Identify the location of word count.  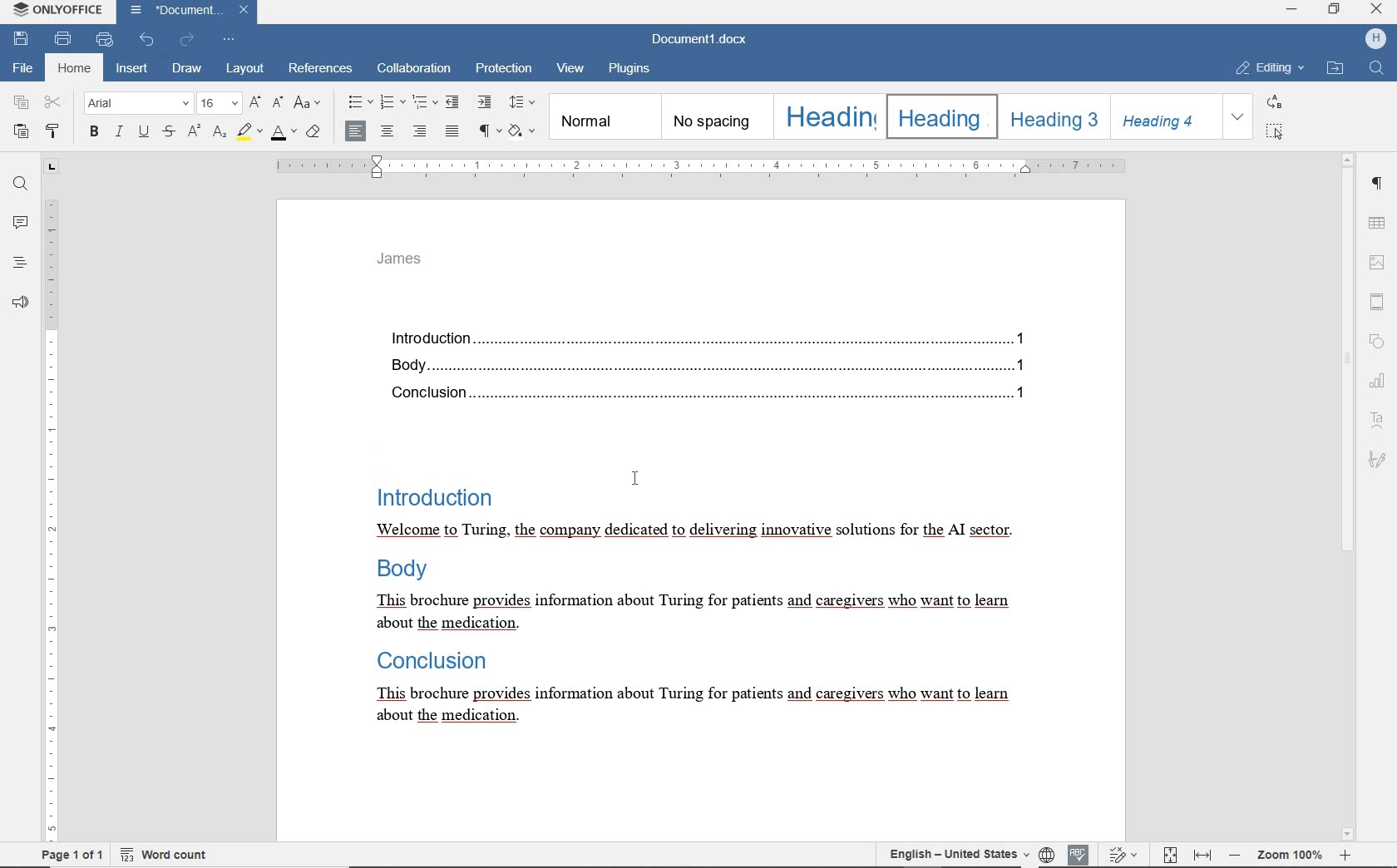
(173, 854).